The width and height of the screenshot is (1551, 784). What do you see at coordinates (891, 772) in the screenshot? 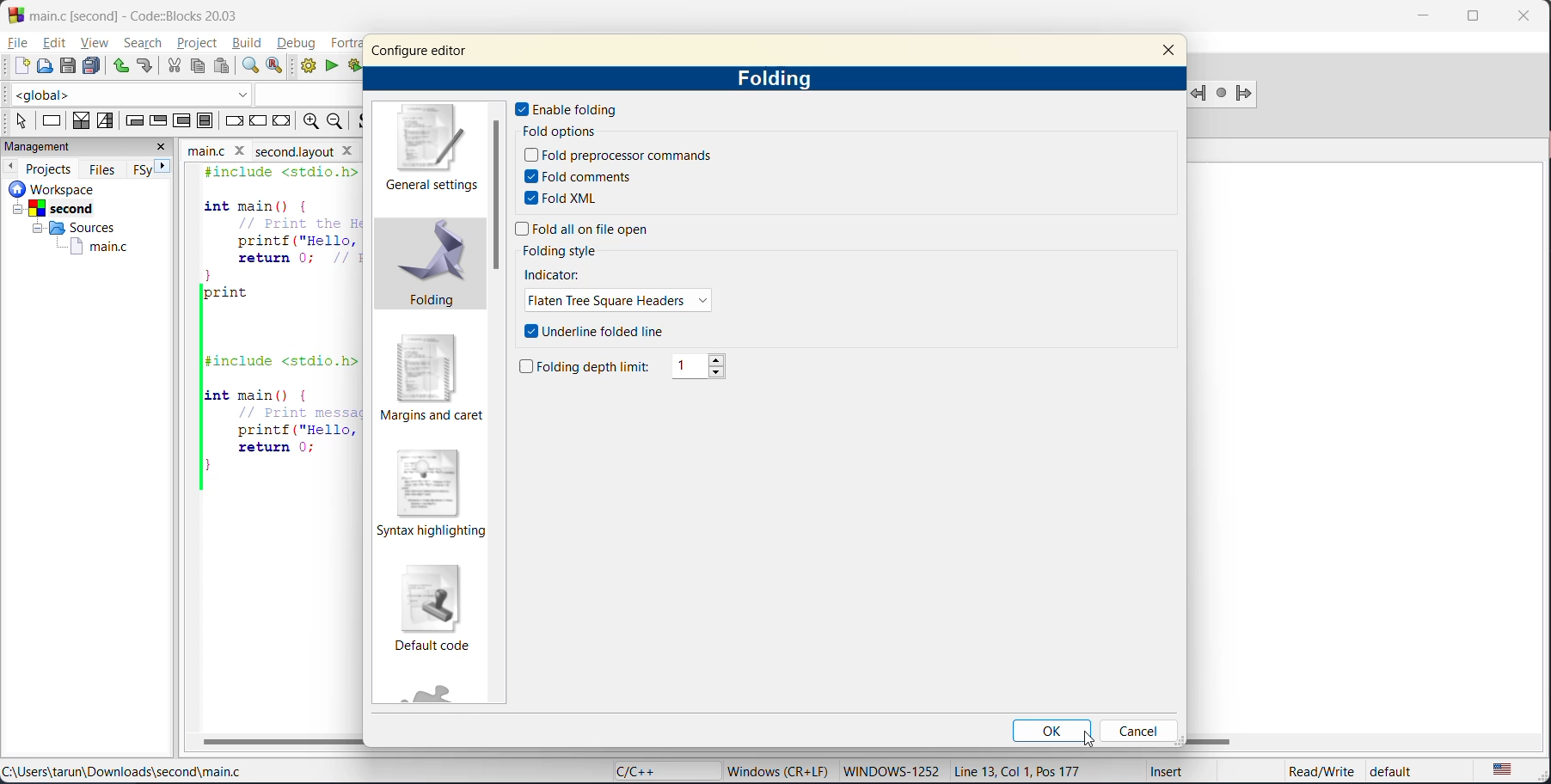
I see `windows-1252` at bounding box center [891, 772].